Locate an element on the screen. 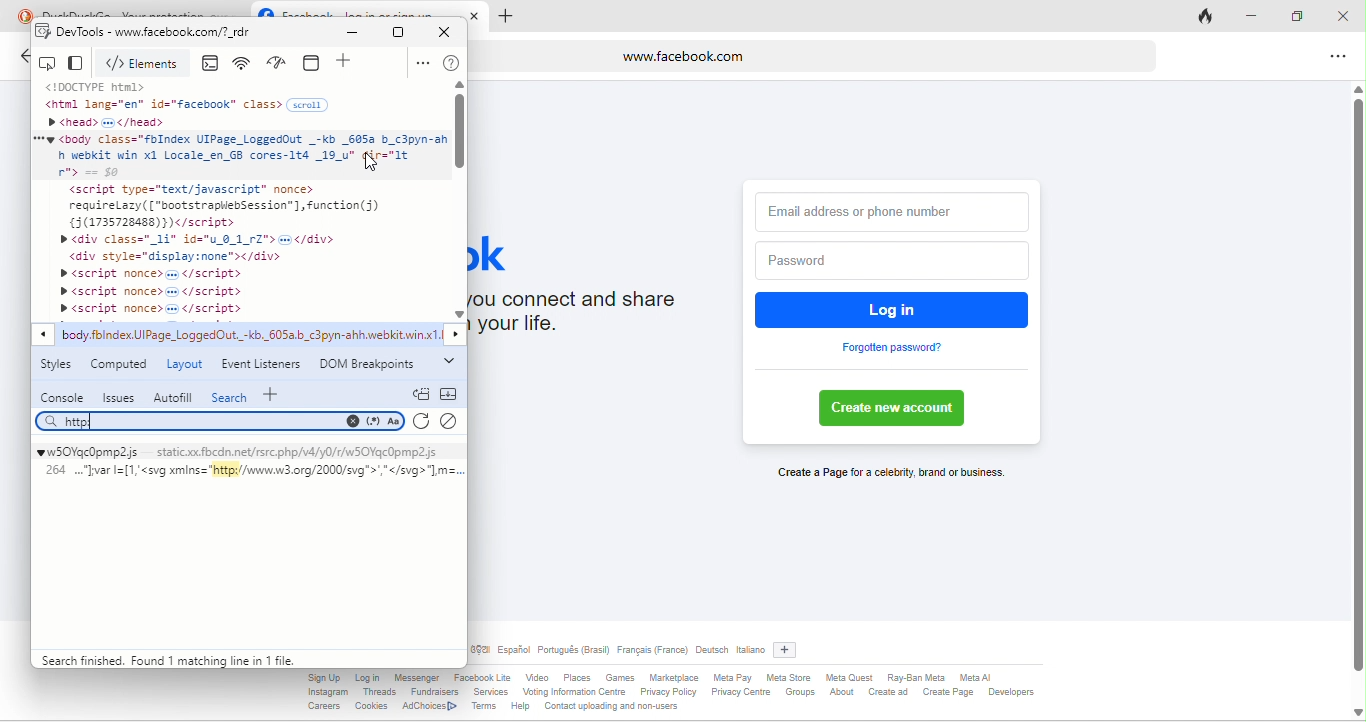  dev tools is located at coordinates (70, 34).